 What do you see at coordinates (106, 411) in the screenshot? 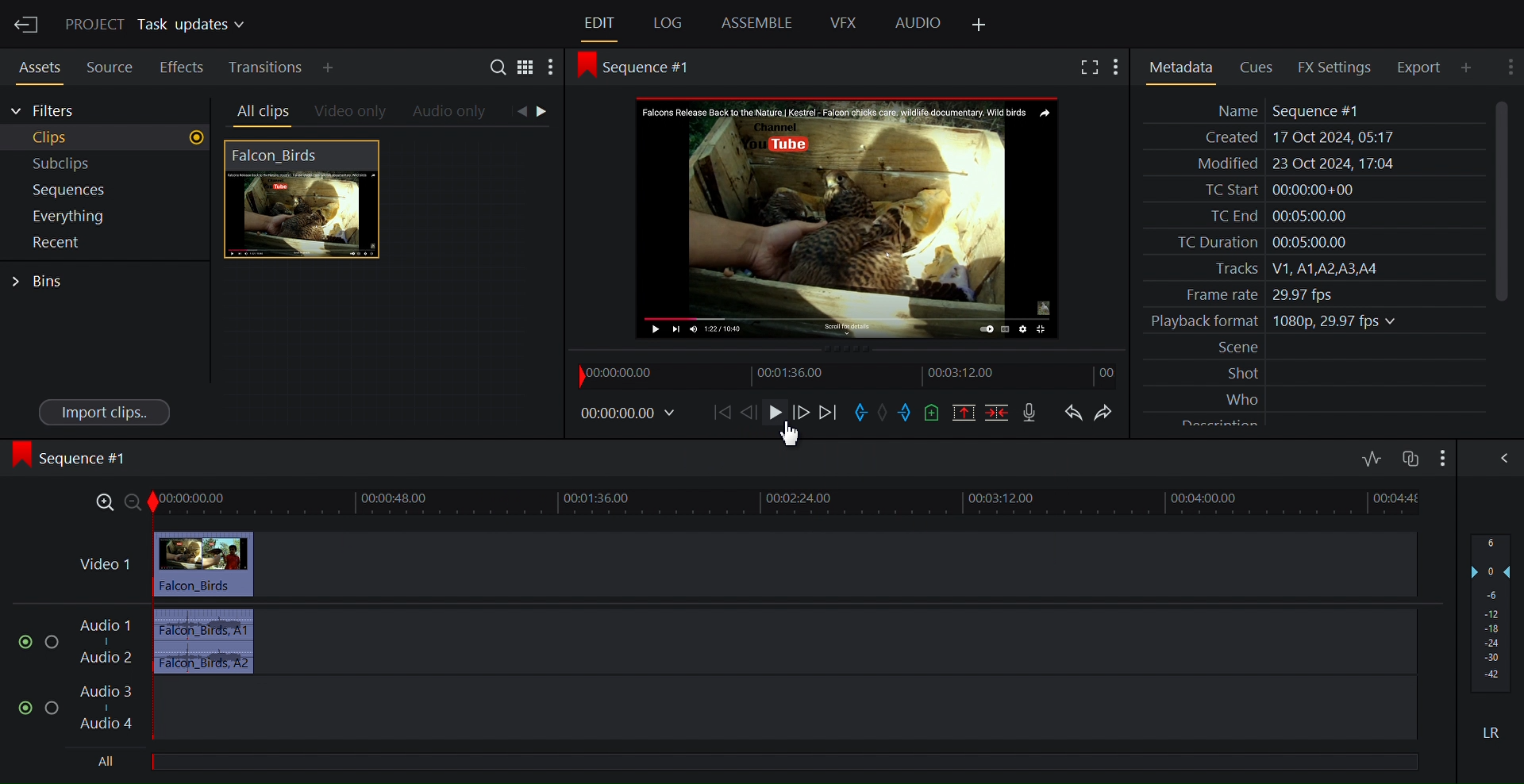
I see `Import clips` at bounding box center [106, 411].